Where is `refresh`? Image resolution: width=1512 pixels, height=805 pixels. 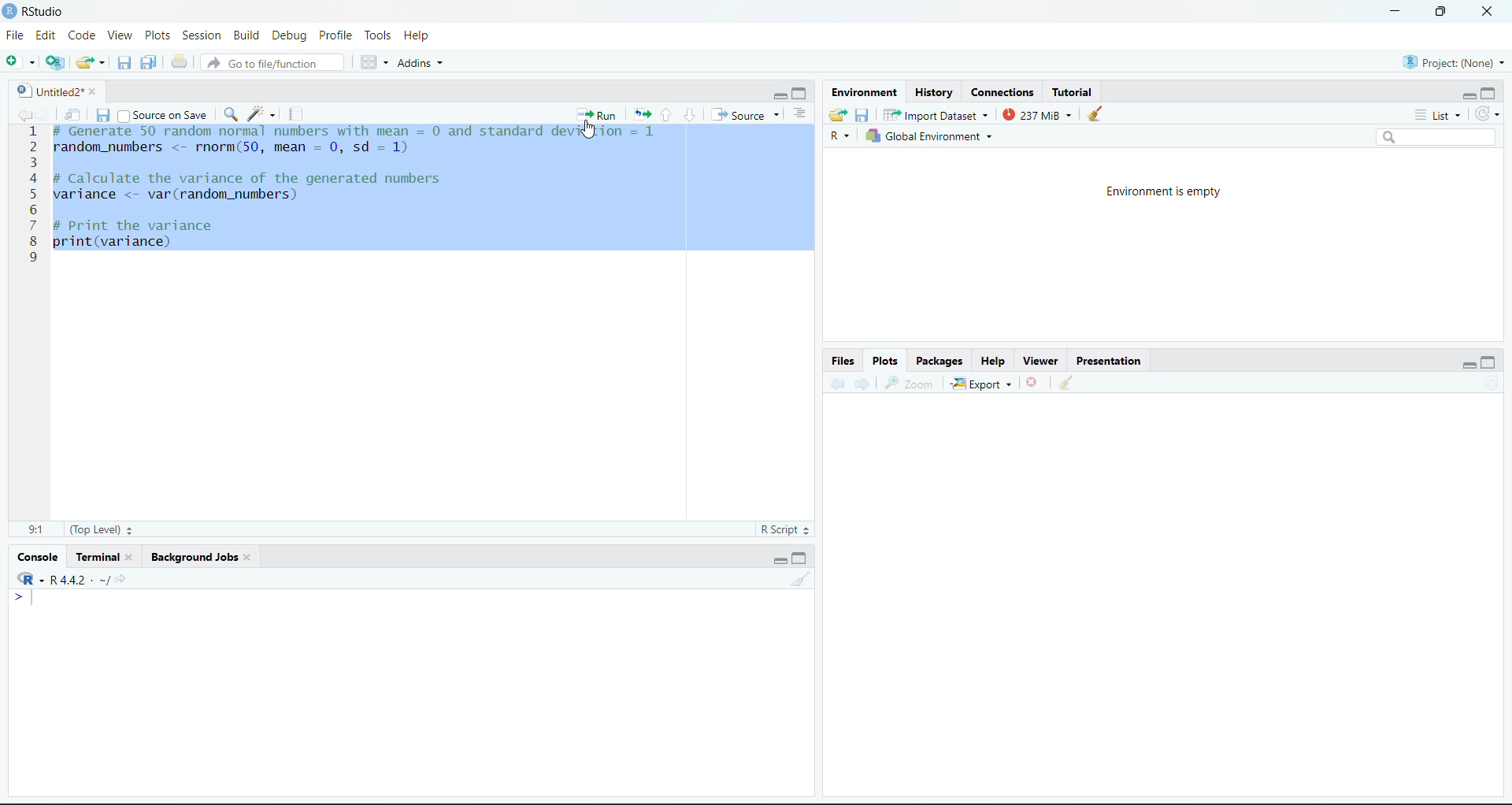 refresh is located at coordinates (1487, 114).